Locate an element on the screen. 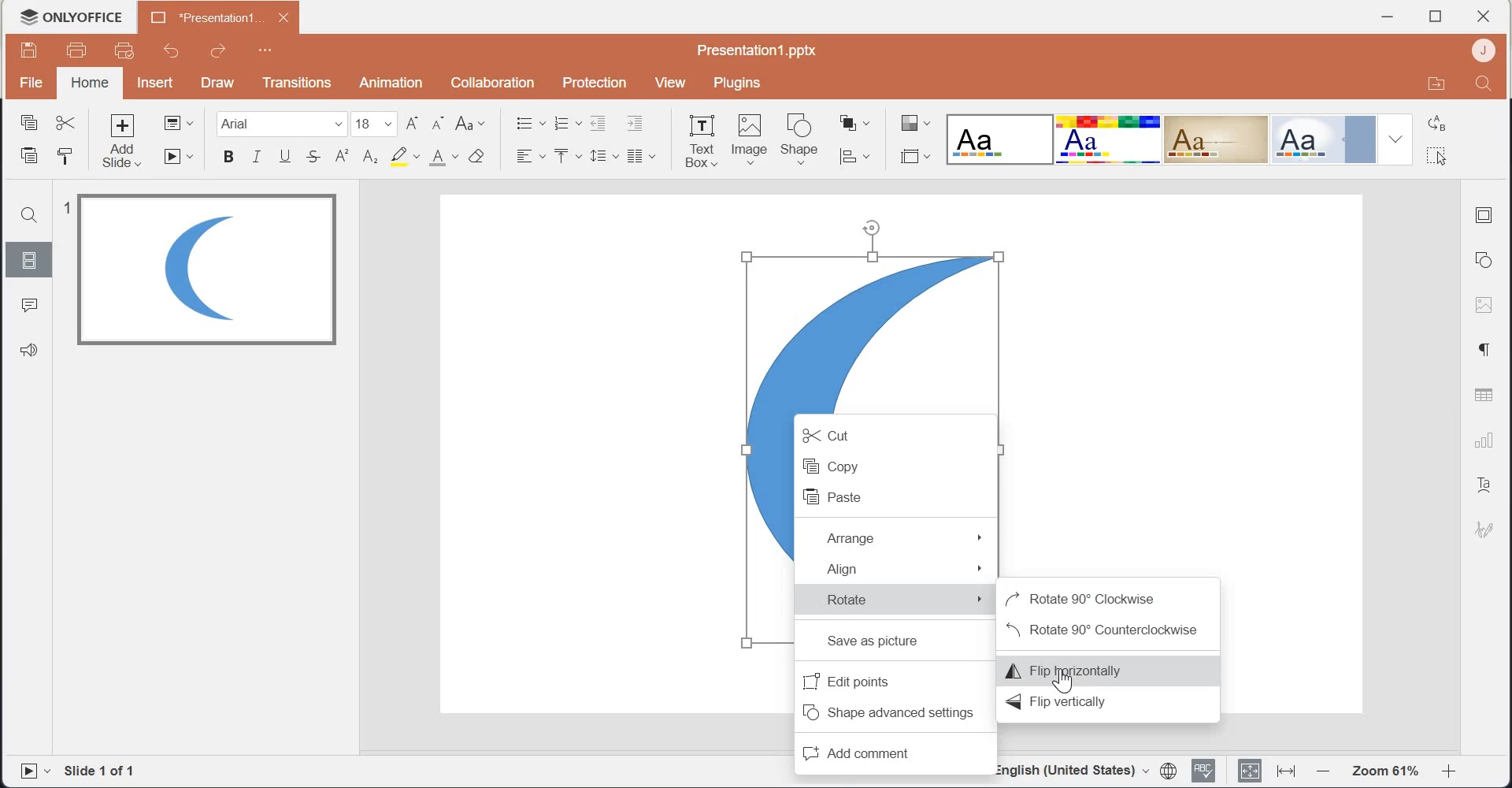 This screenshot has width=1512, height=788. Decrease Indent is located at coordinates (600, 123).